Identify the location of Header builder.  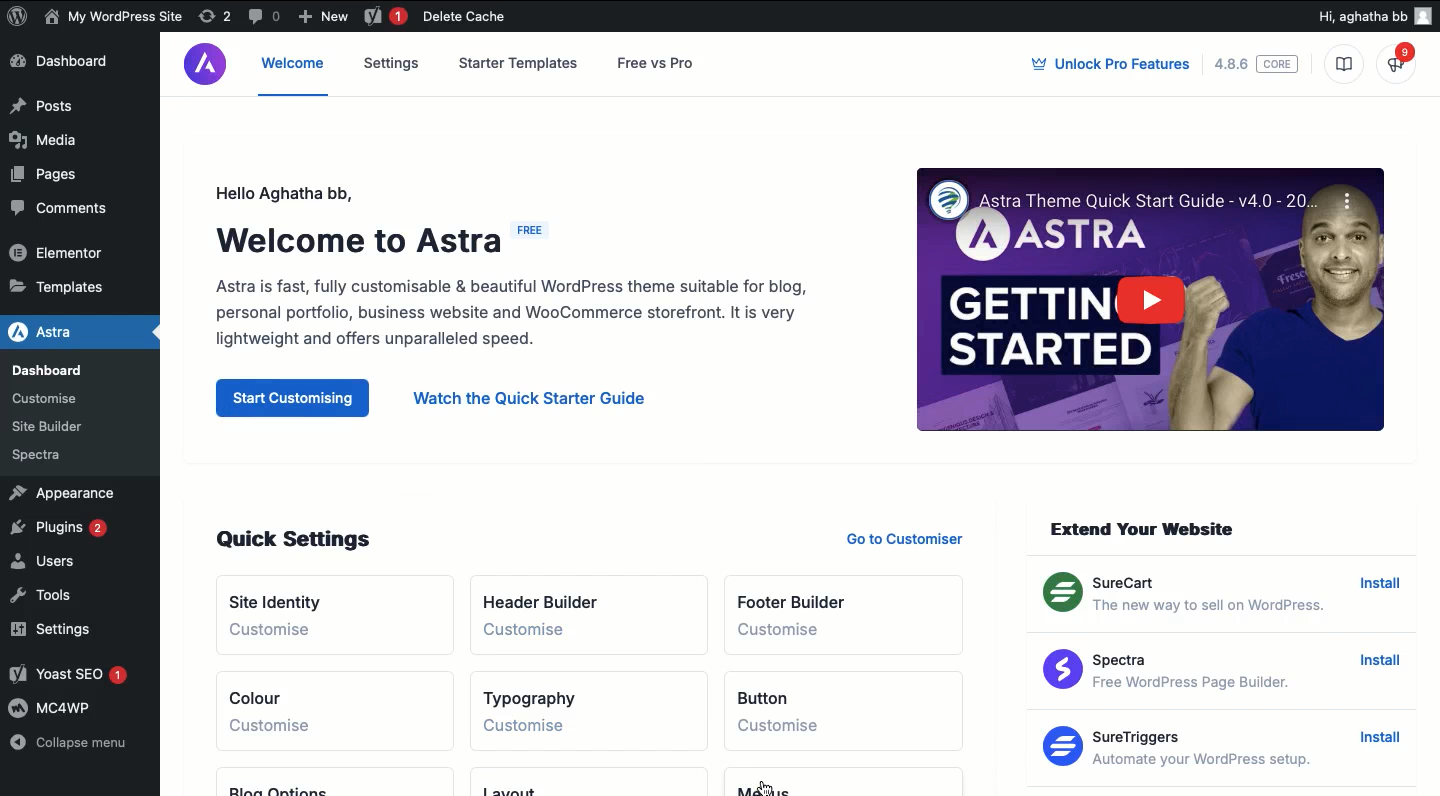
(548, 593).